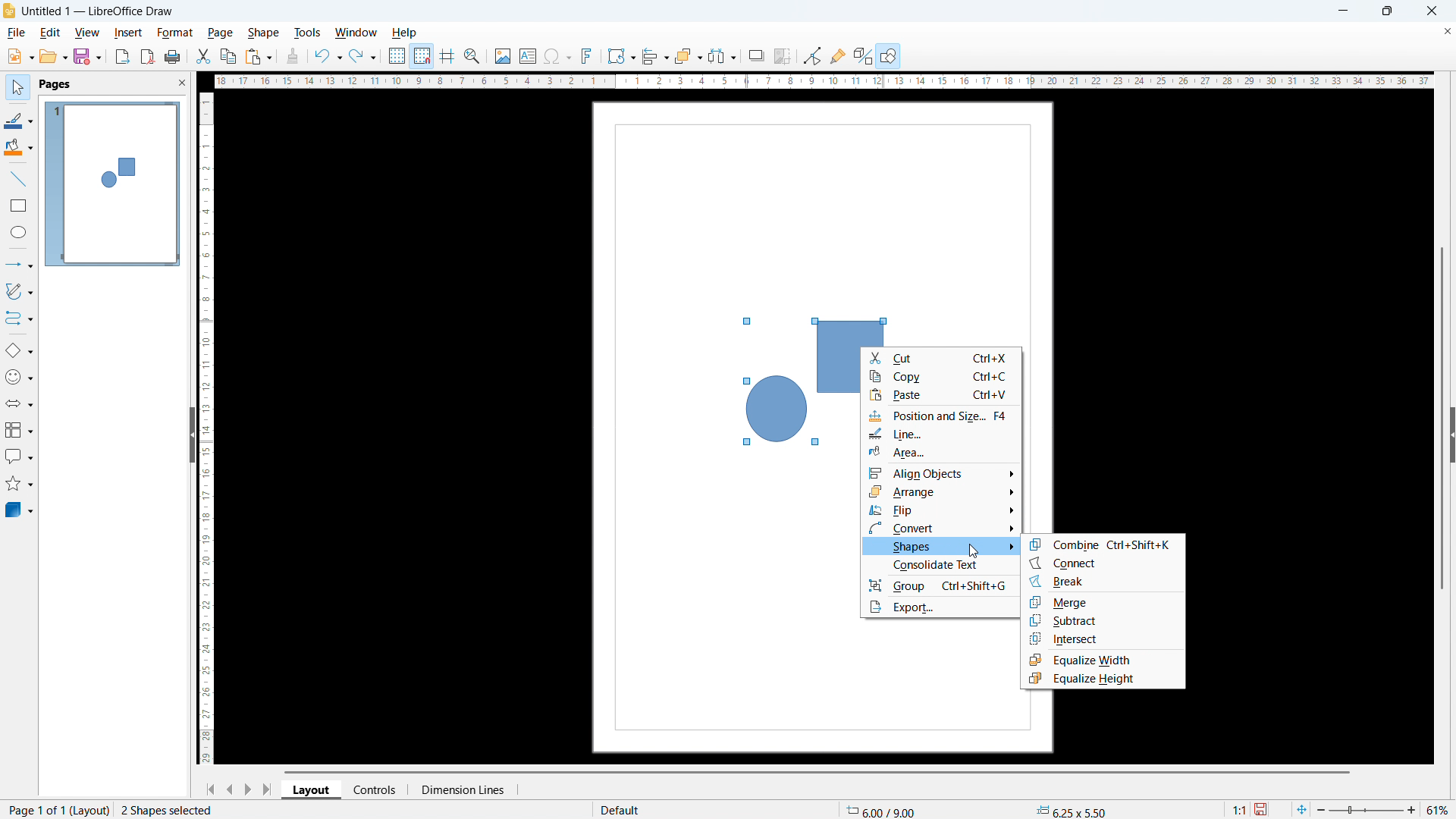 Image resolution: width=1456 pixels, height=819 pixels. Describe the element at coordinates (21, 56) in the screenshot. I see `new` at that location.